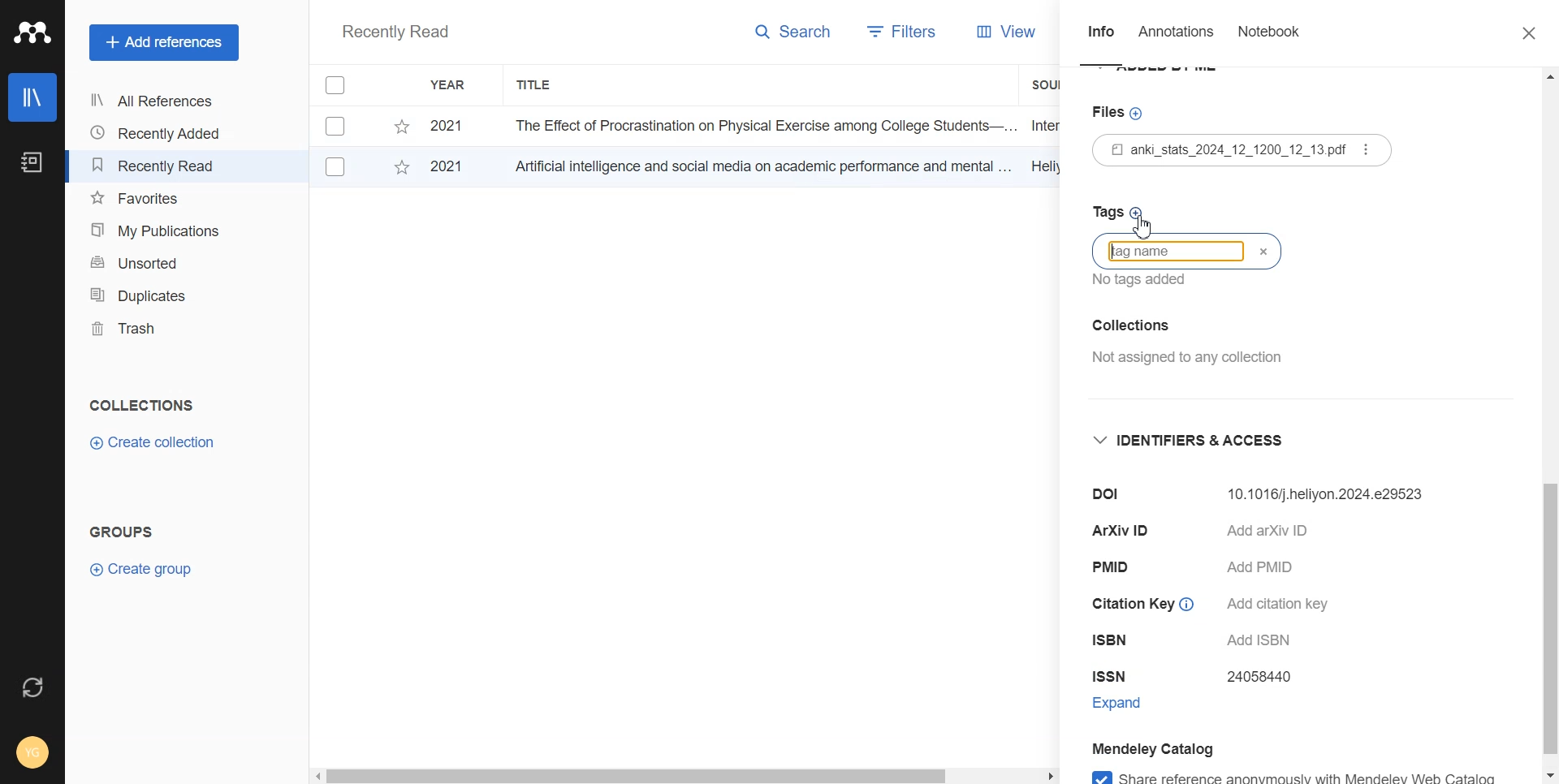 The image size is (1559, 784). I want to click on Text, so click(395, 33).